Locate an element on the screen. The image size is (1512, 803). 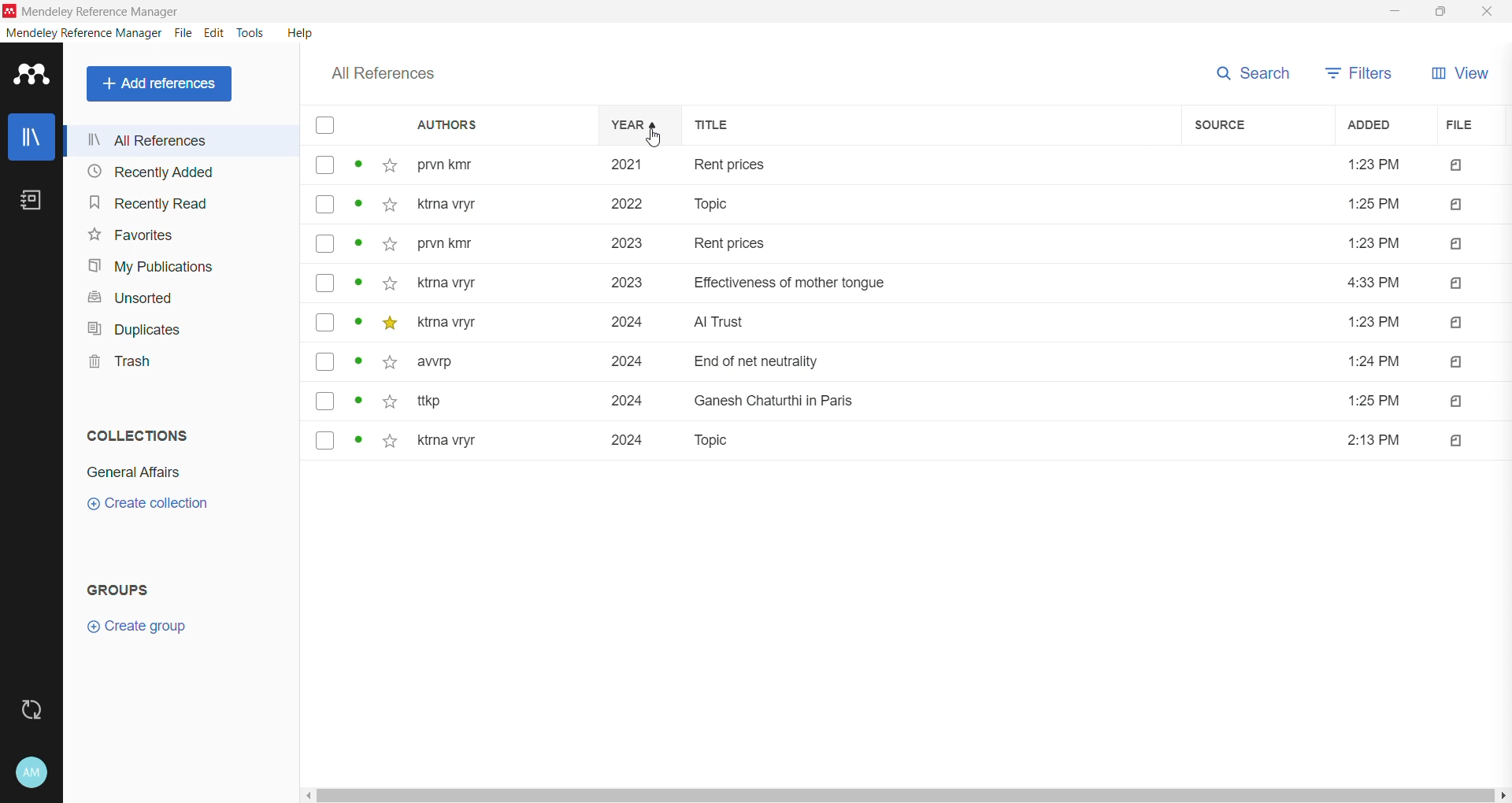
select is located at coordinates (326, 323).